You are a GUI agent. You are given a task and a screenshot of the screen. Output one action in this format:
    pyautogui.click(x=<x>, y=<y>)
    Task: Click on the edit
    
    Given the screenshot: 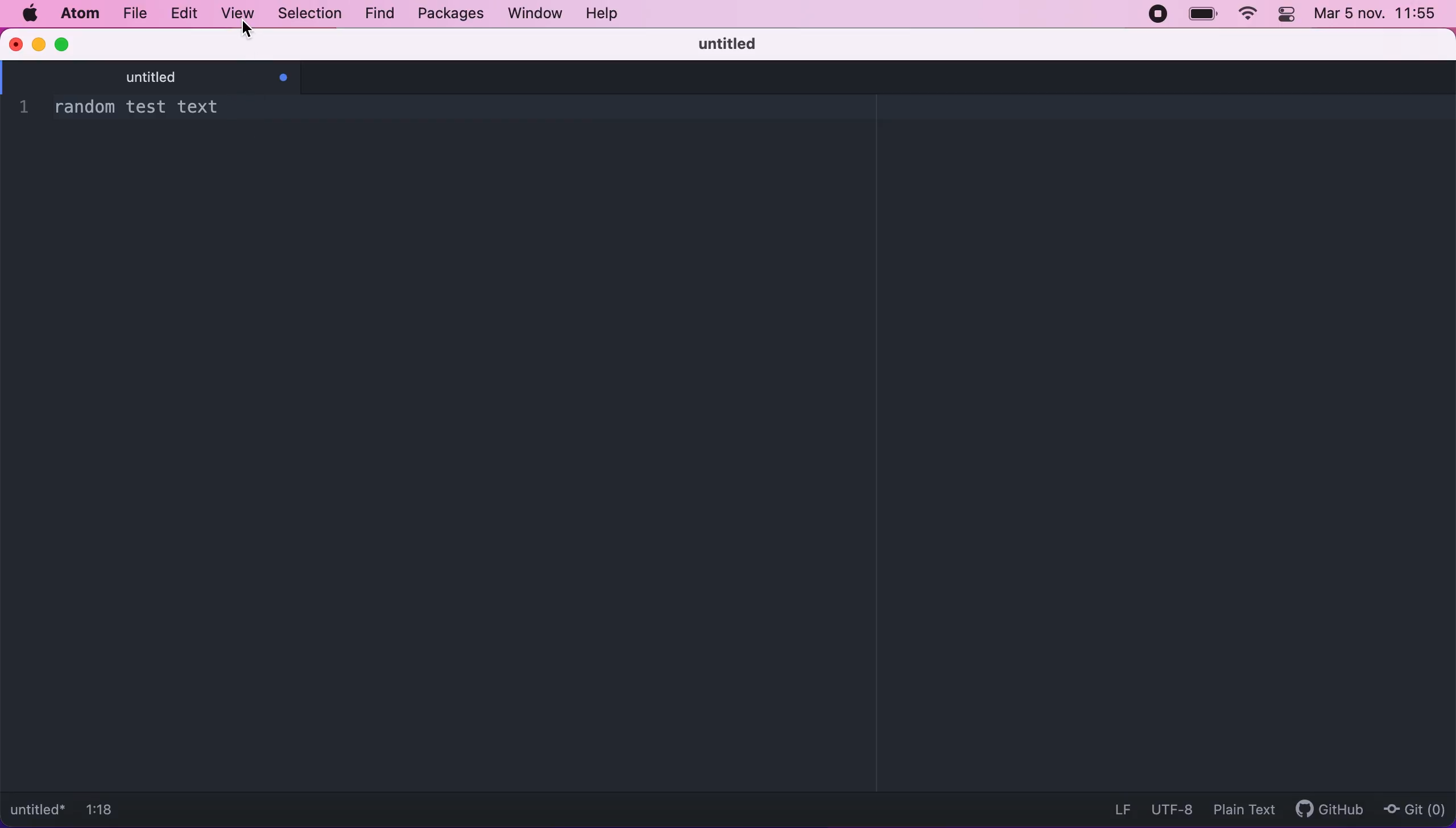 What is the action you would take?
    pyautogui.click(x=185, y=13)
    